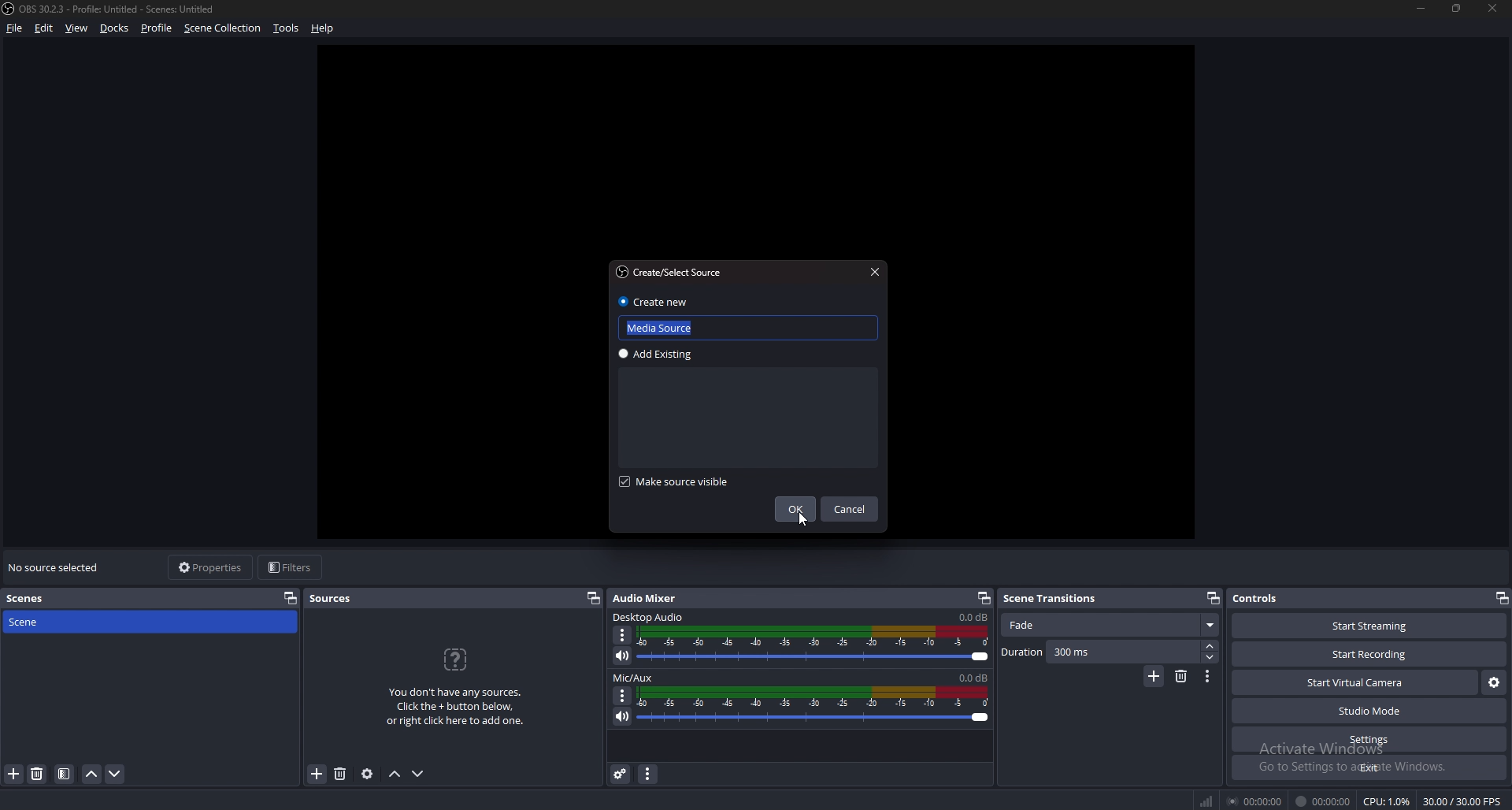  What do you see at coordinates (38, 773) in the screenshot?
I see `delete scene` at bounding box center [38, 773].